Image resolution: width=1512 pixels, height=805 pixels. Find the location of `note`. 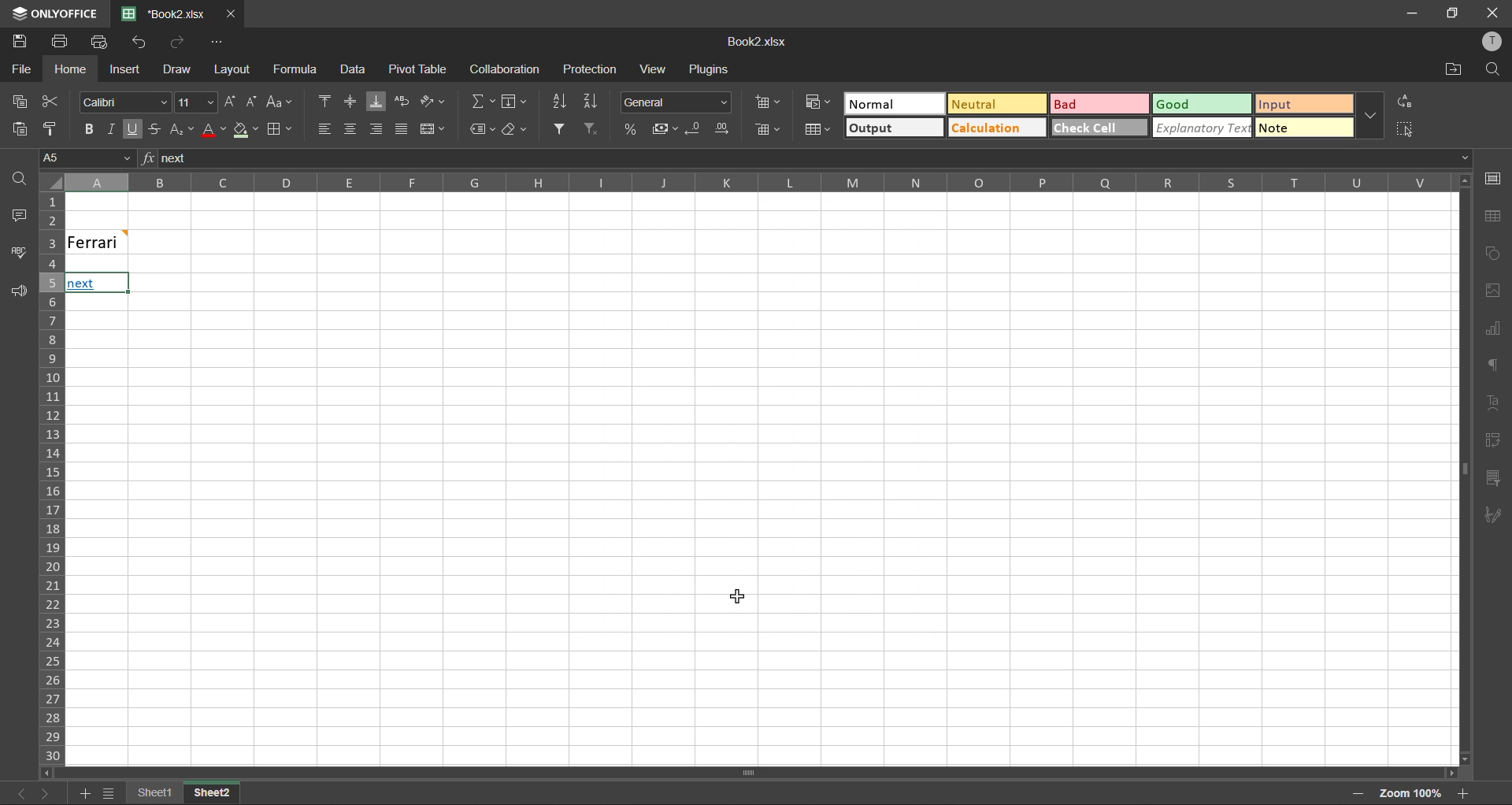

note is located at coordinates (1294, 129).